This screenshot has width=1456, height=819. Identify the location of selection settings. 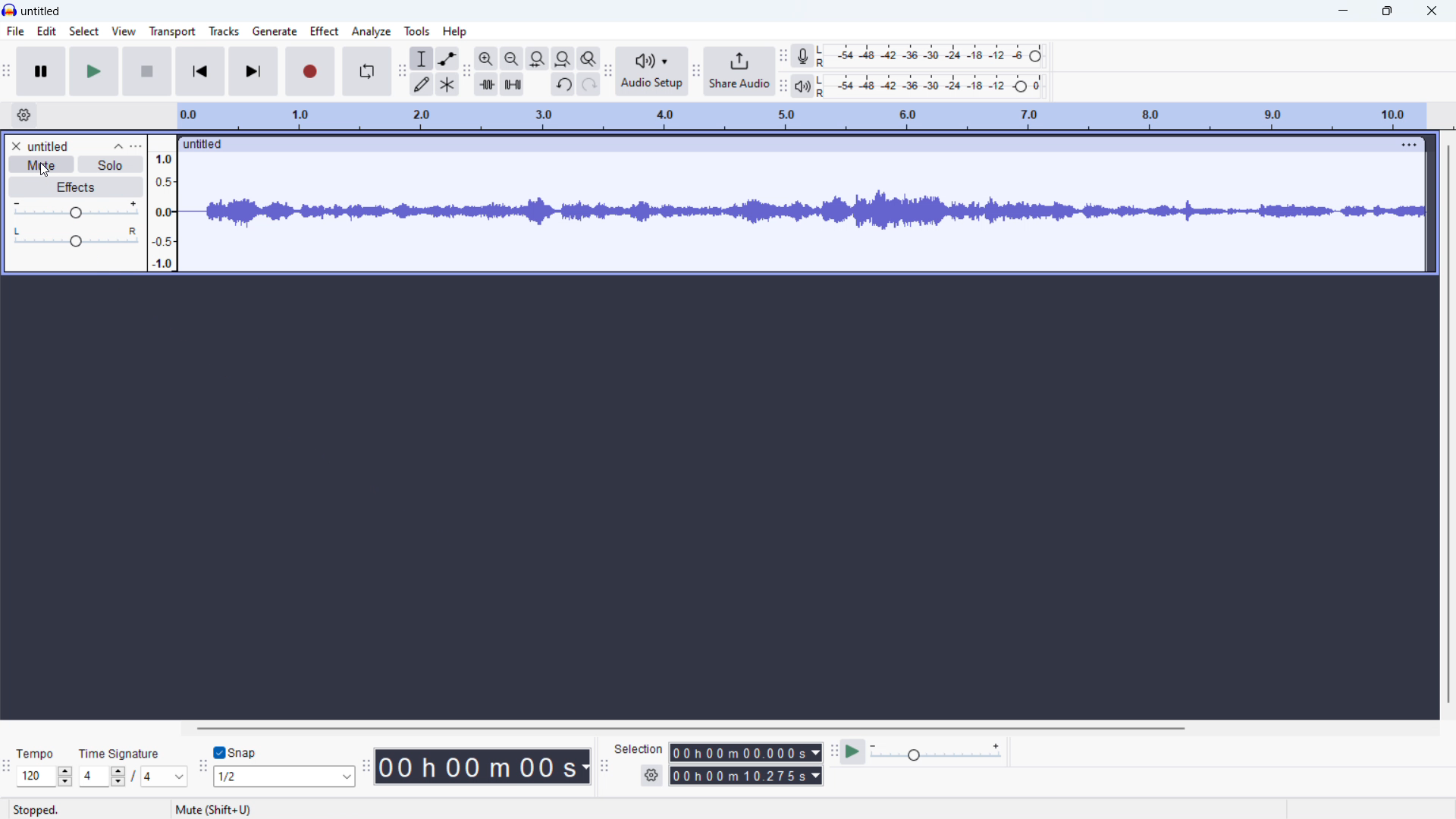
(651, 775).